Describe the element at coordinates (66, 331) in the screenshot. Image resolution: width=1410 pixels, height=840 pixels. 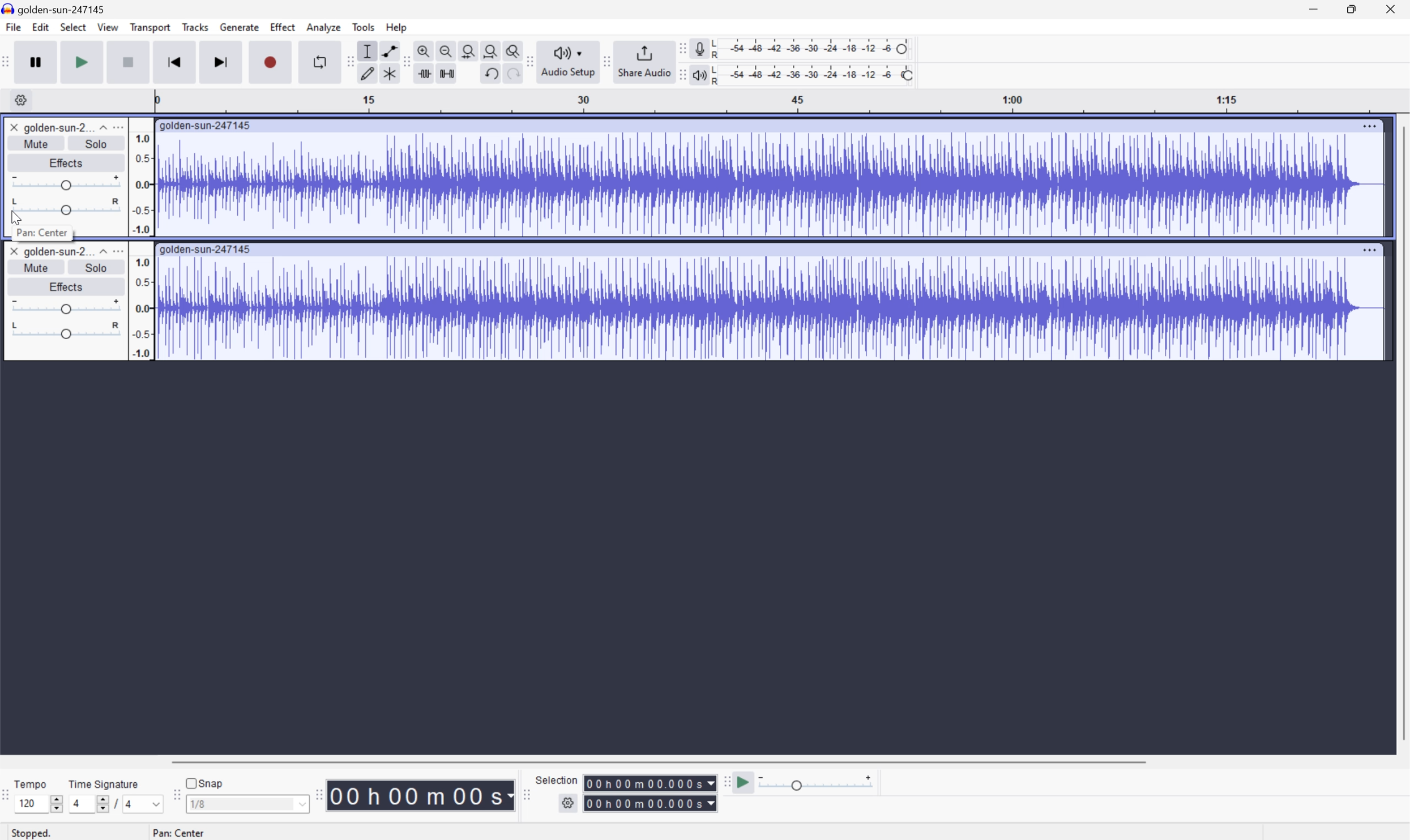
I see `Slider` at that location.